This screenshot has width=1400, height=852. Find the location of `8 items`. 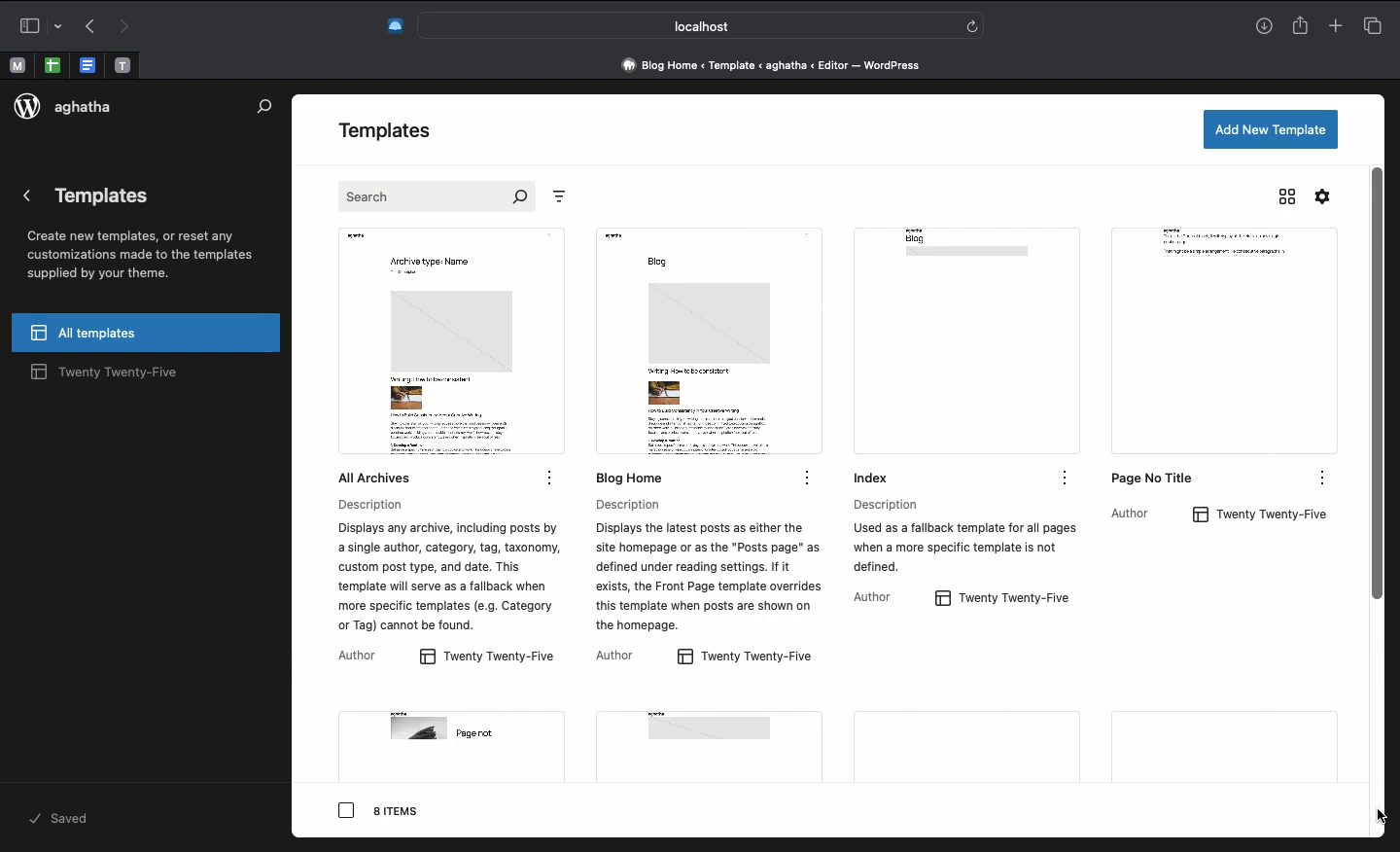

8 items is located at coordinates (386, 811).